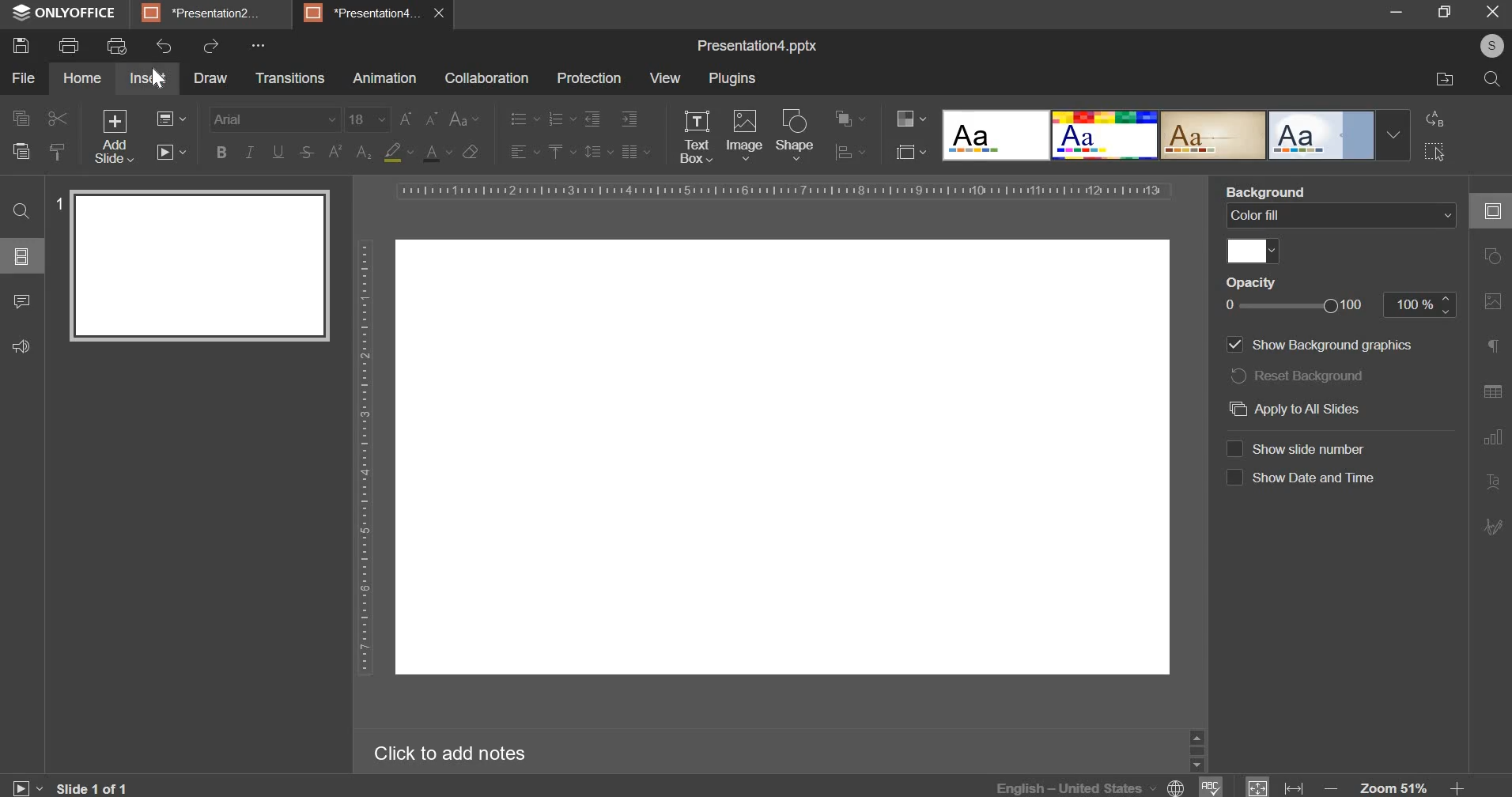  Describe the element at coordinates (1292, 306) in the screenshot. I see `opacity slider` at that location.